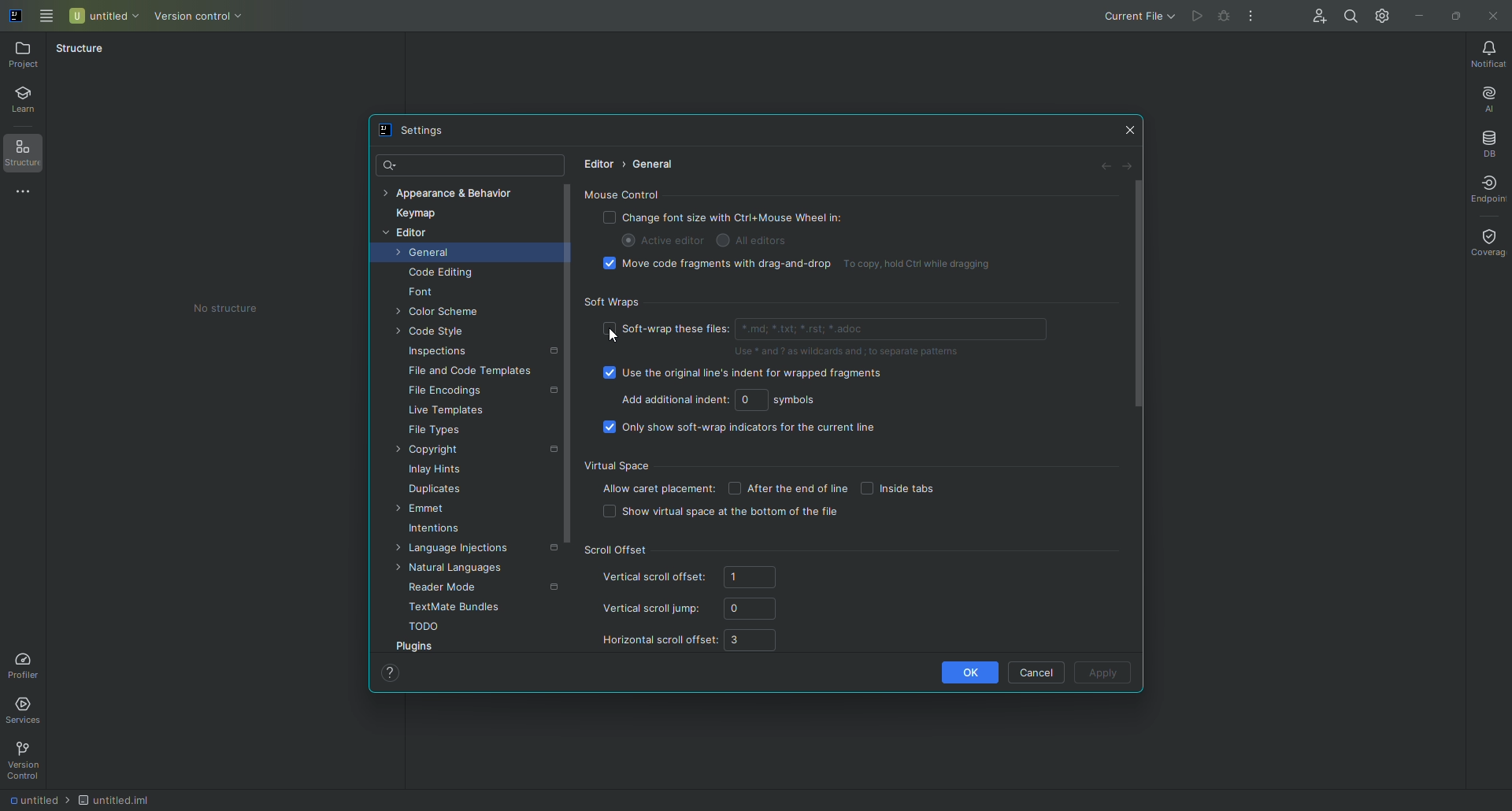  I want to click on File Types, so click(435, 431).